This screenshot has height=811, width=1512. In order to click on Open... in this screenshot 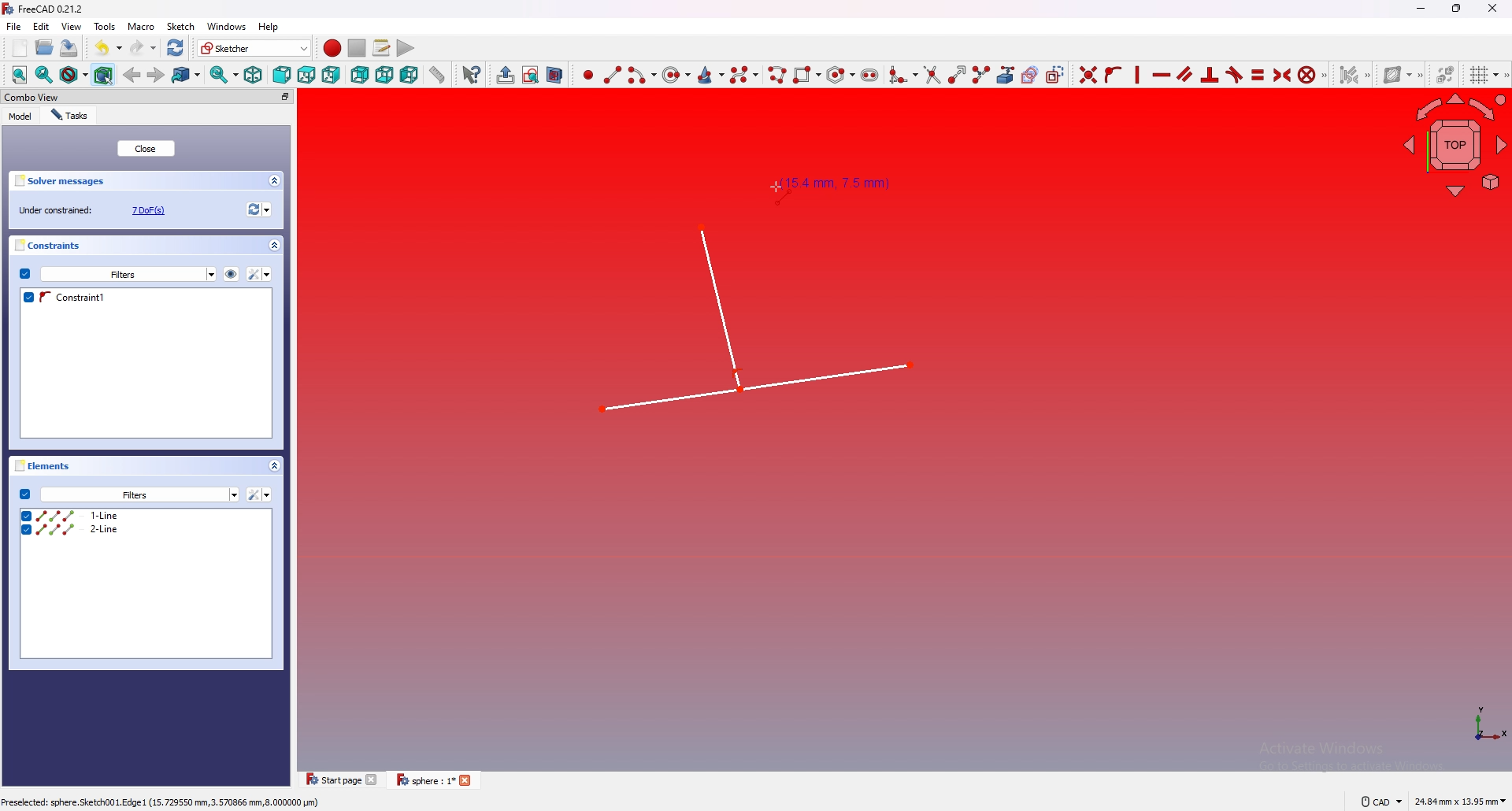, I will do `click(43, 48)`.